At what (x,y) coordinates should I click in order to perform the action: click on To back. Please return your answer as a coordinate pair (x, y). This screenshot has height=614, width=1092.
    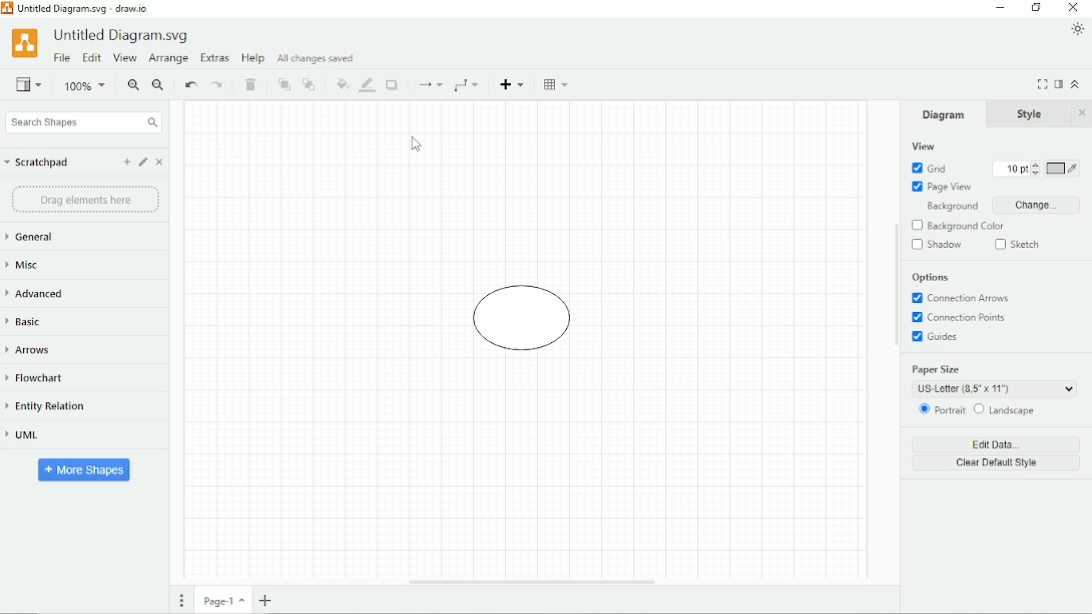
    Looking at the image, I should click on (309, 84).